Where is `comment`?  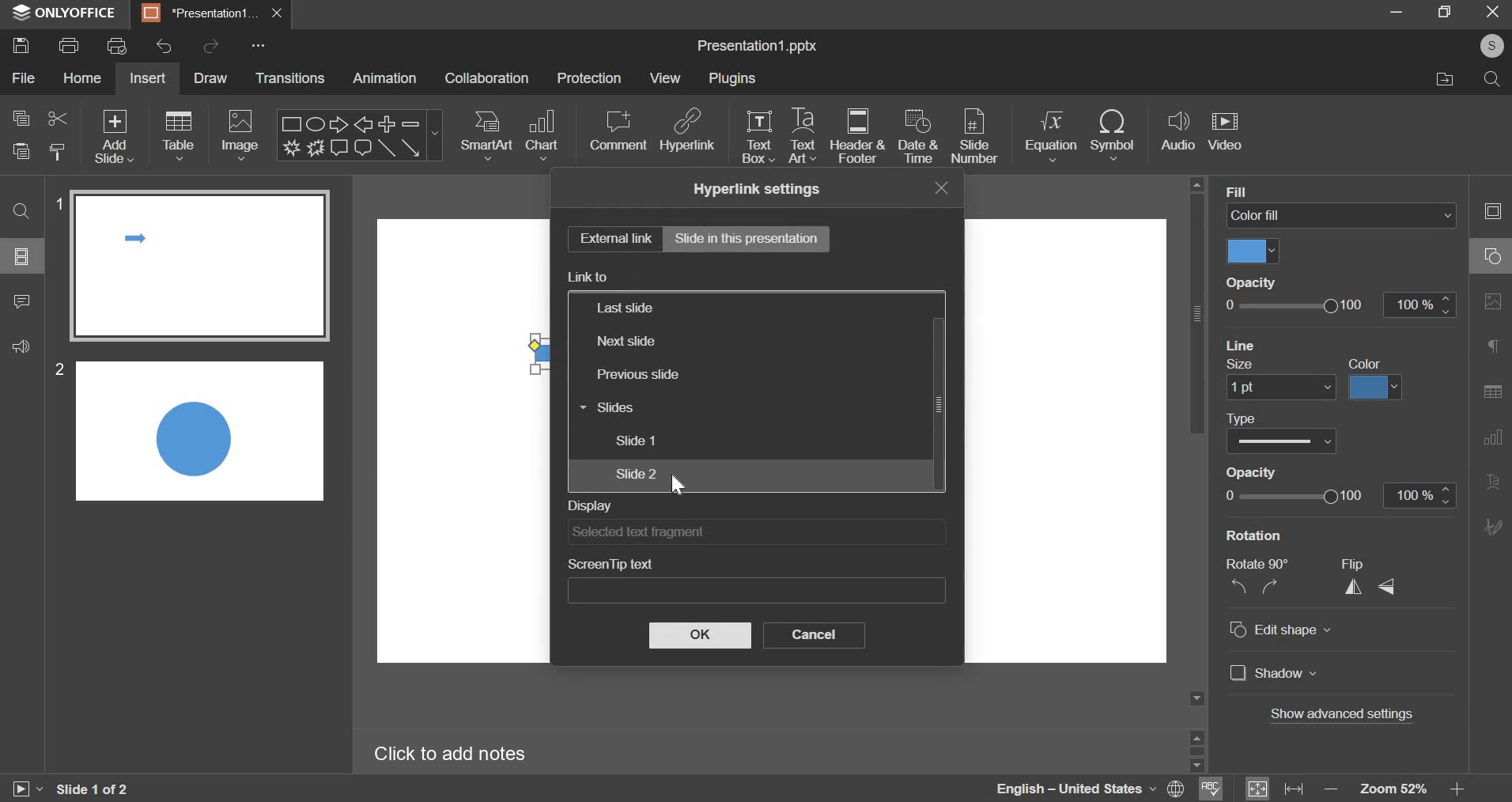
comment is located at coordinates (22, 301).